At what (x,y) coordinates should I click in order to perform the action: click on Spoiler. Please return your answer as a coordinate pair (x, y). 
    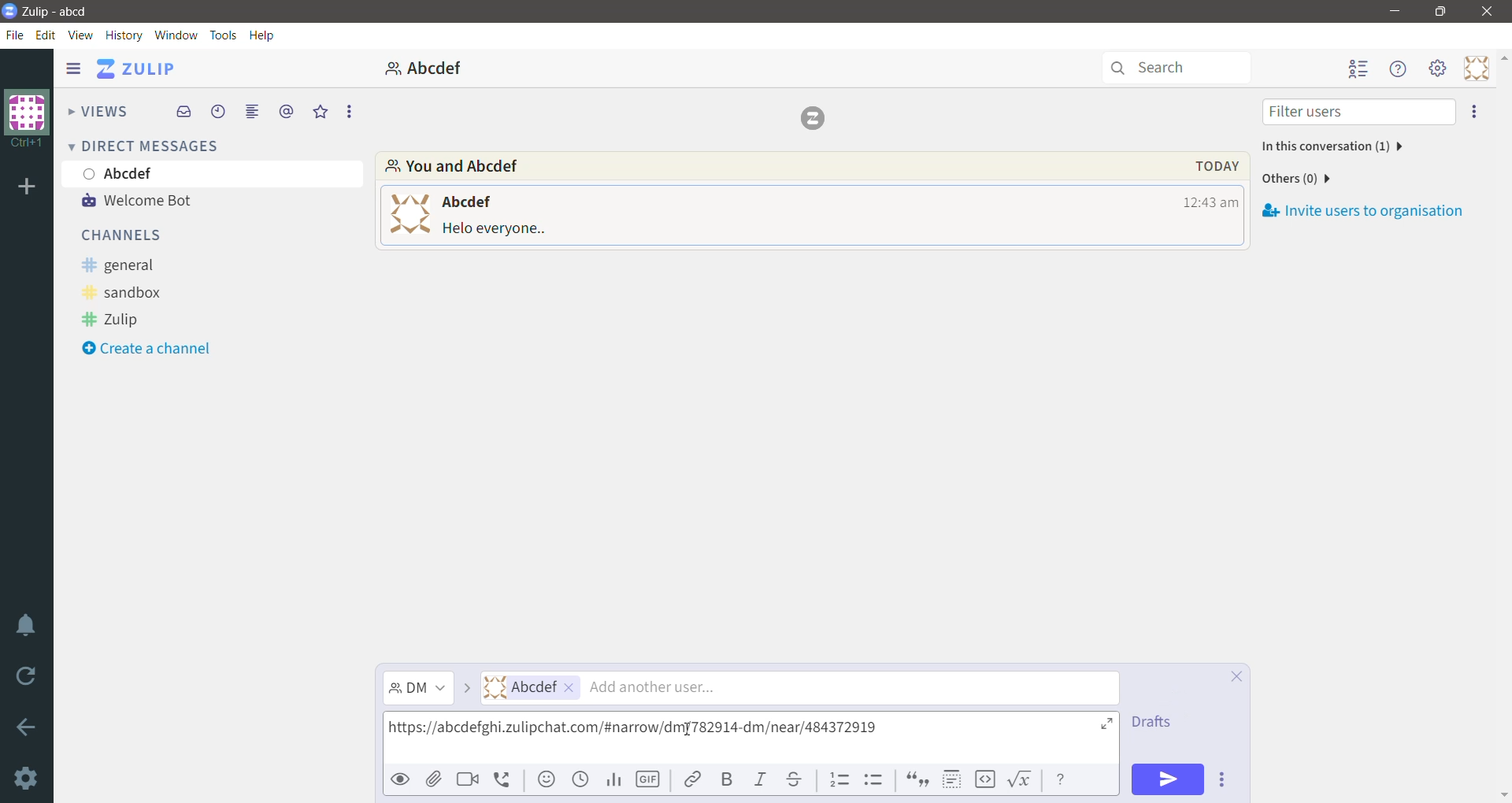
    Looking at the image, I should click on (953, 779).